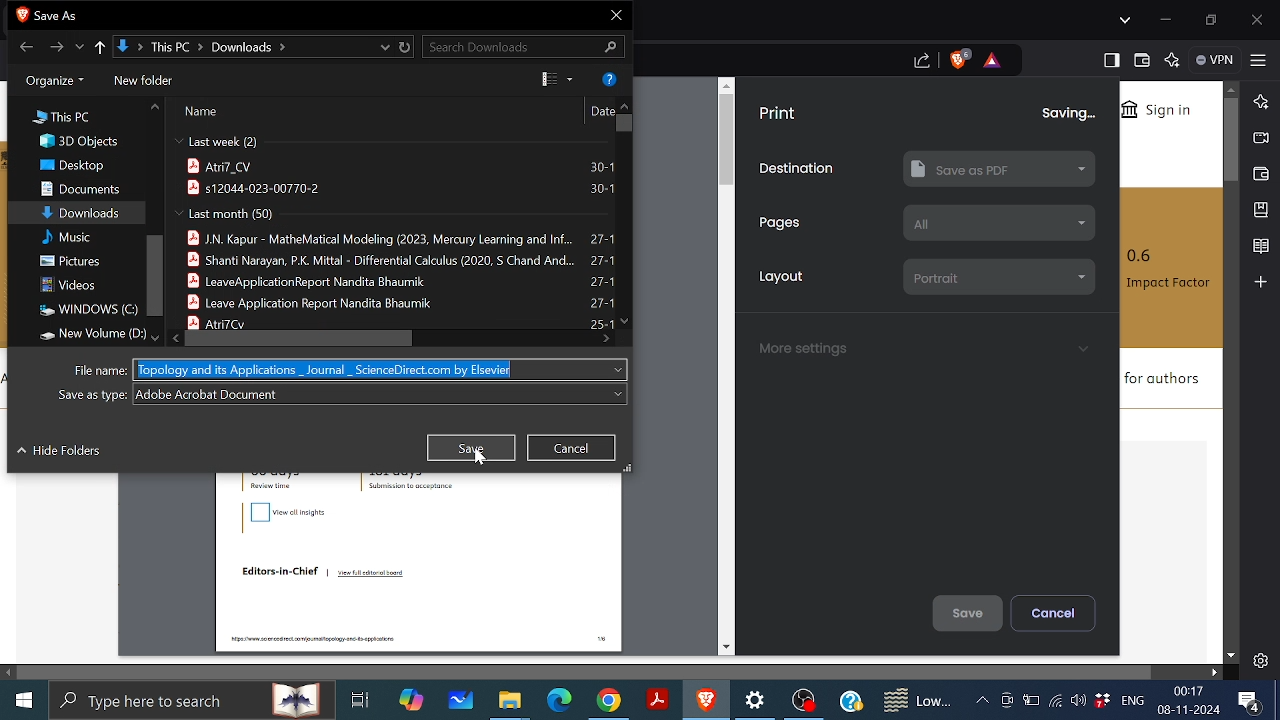  What do you see at coordinates (1188, 700) in the screenshot?
I see `00:17 08-11-2024` at bounding box center [1188, 700].